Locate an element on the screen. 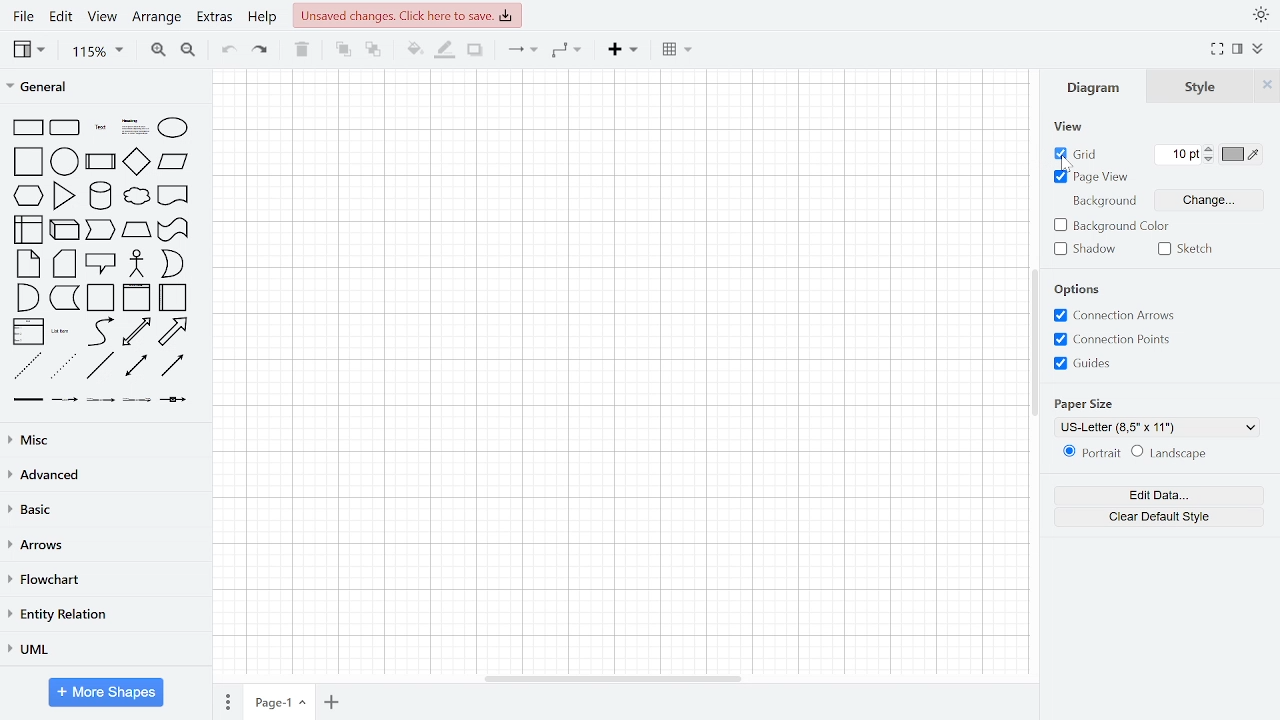  step is located at coordinates (100, 228).